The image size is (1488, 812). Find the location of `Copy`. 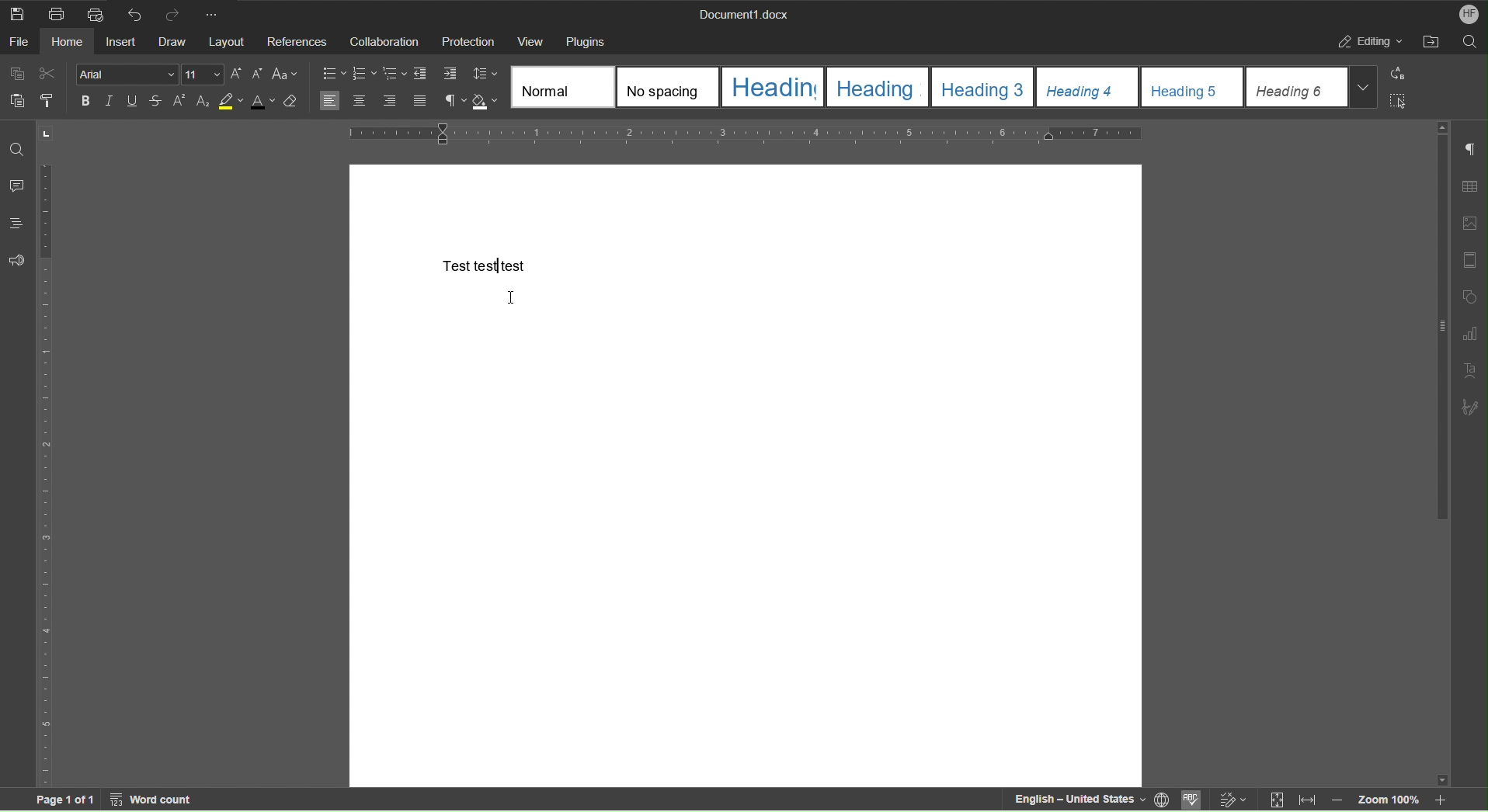

Copy is located at coordinates (19, 74).